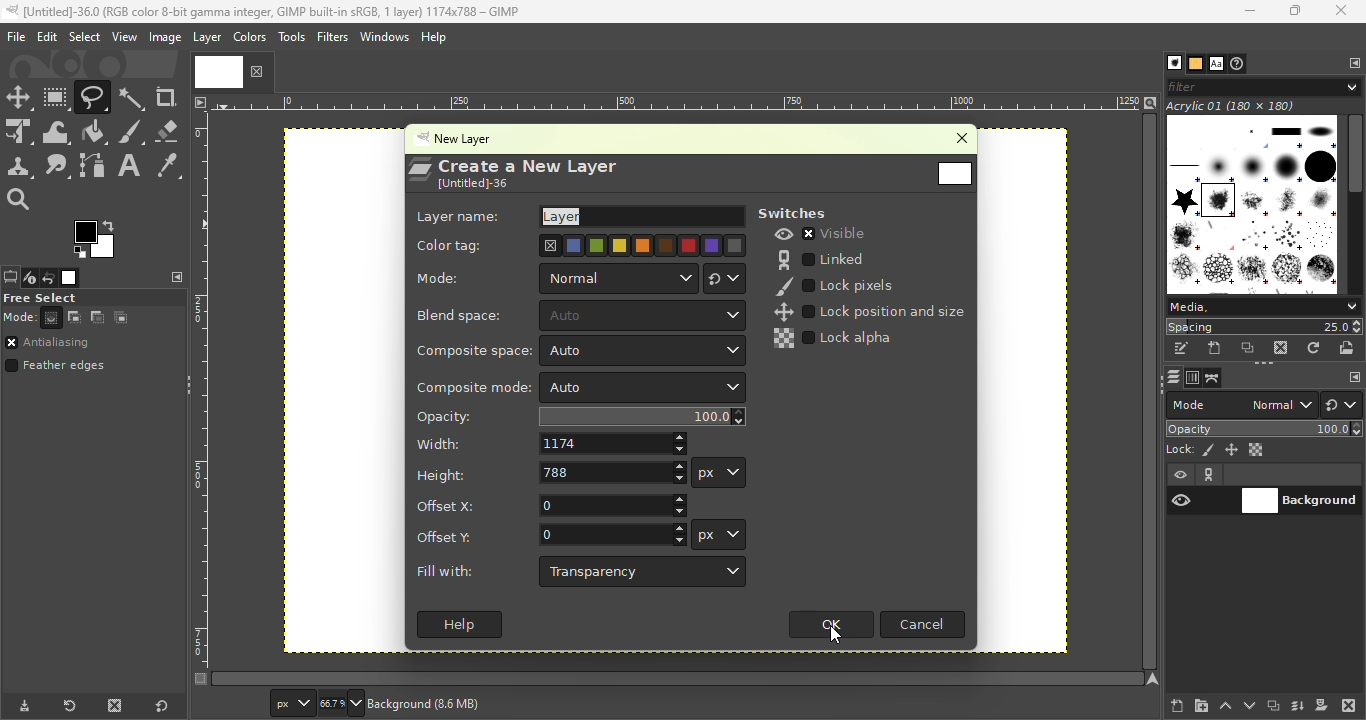  Describe the element at coordinates (1257, 449) in the screenshot. I see `Lock alpha channel` at that location.